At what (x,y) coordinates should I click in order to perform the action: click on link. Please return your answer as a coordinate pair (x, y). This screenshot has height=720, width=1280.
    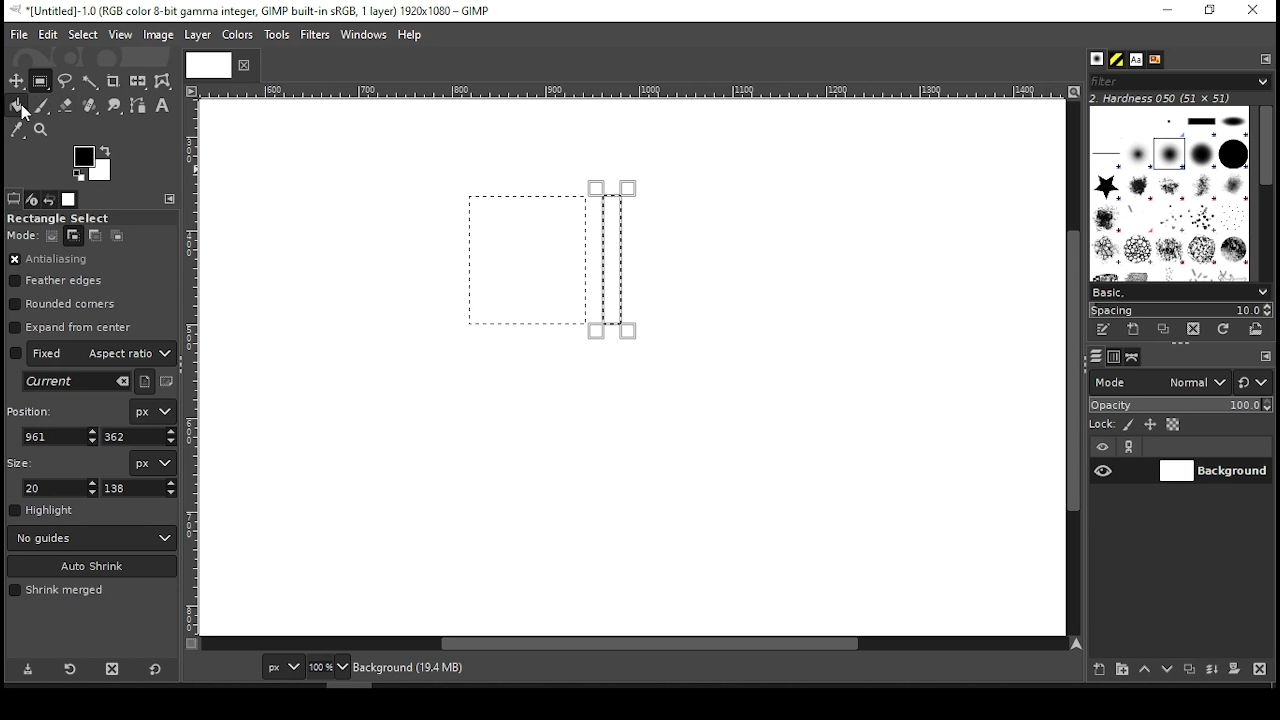
    Looking at the image, I should click on (1129, 447).